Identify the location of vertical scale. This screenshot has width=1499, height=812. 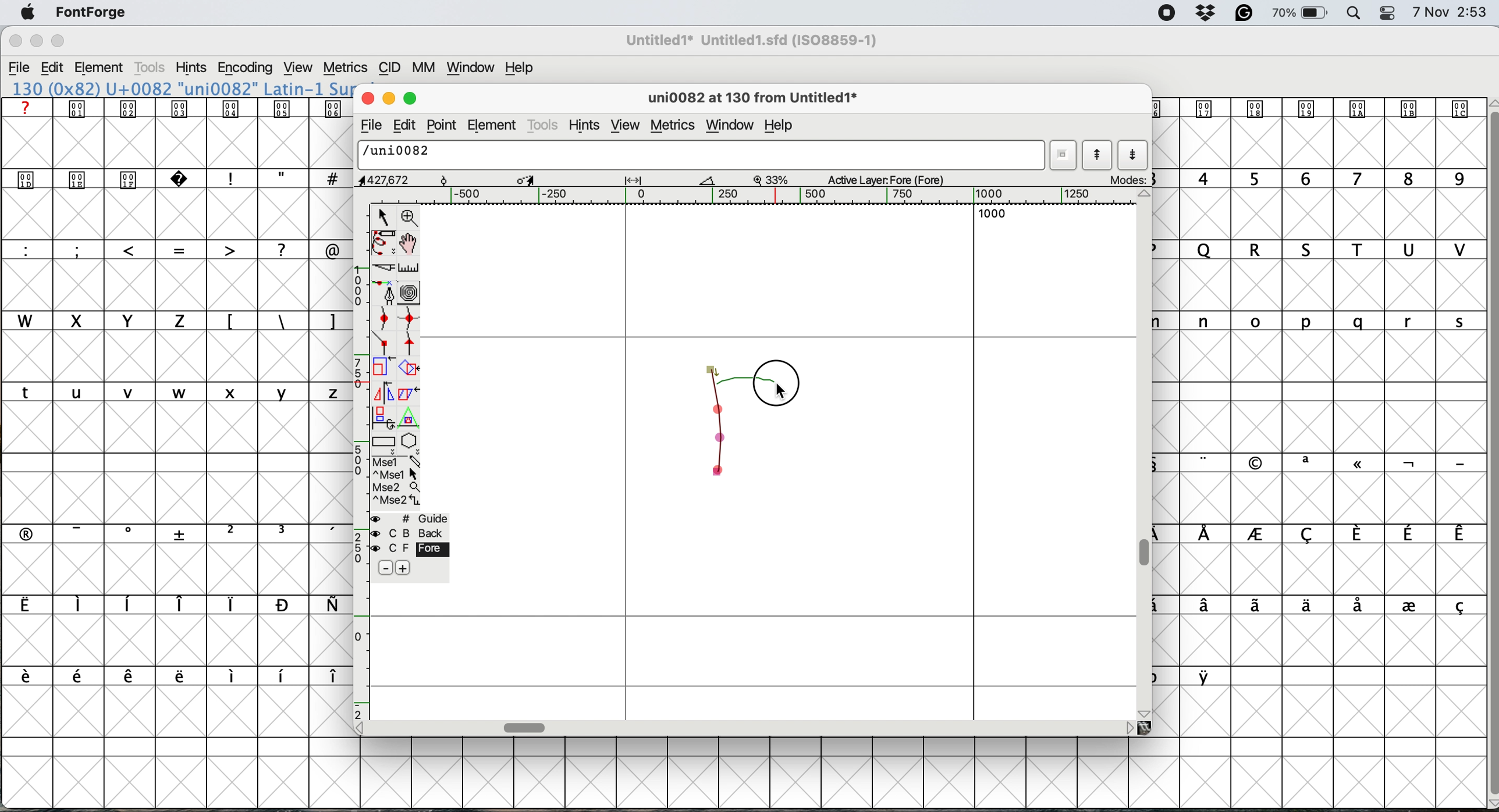
(358, 461).